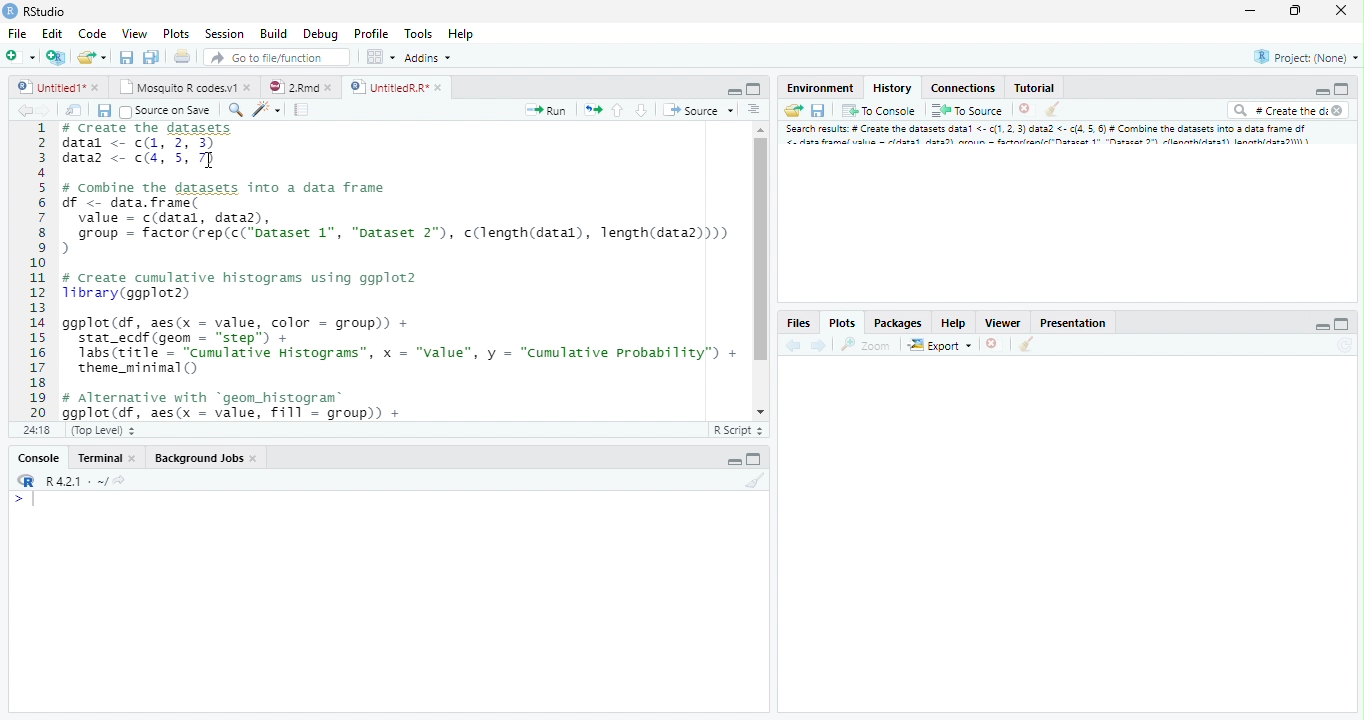 This screenshot has height=720, width=1364. What do you see at coordinates (1286, 112) in the screenshot?
I see `# Create the di` at bounding box center [1286, 112].